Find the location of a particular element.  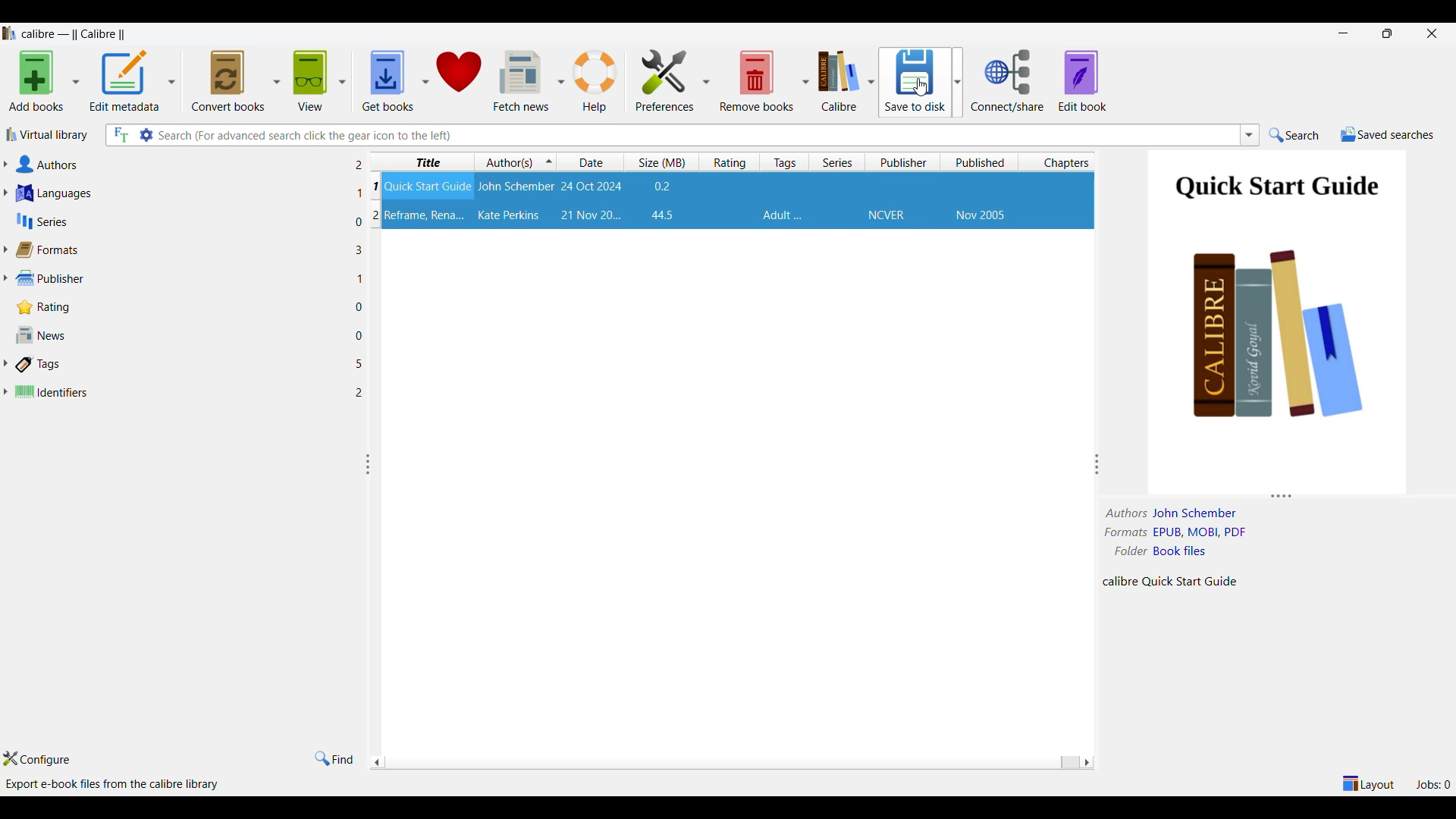

Publish date is located at coordinates (981, 216).